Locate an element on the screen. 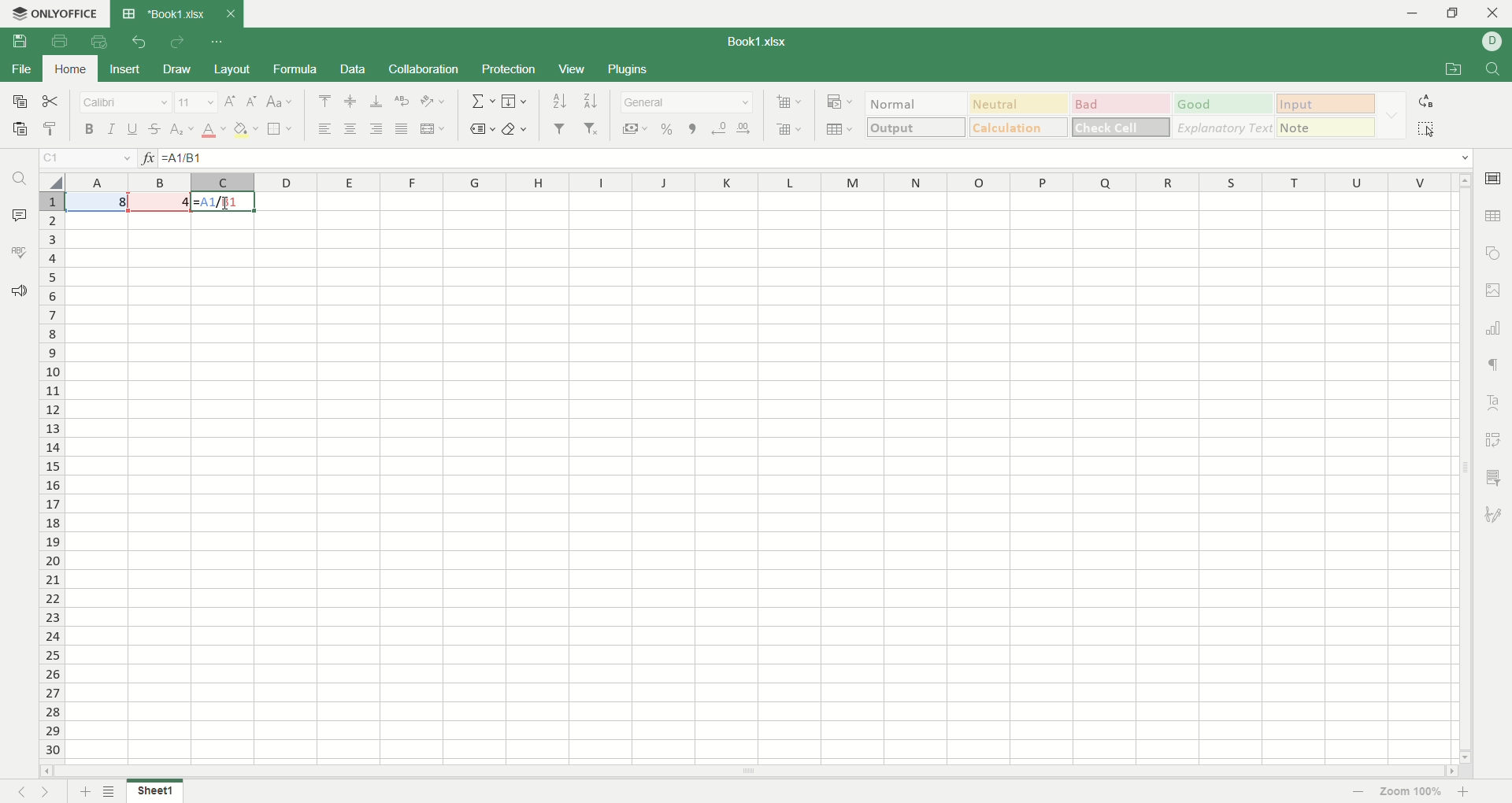  slicer settings is located at coordinates (1494, 479).